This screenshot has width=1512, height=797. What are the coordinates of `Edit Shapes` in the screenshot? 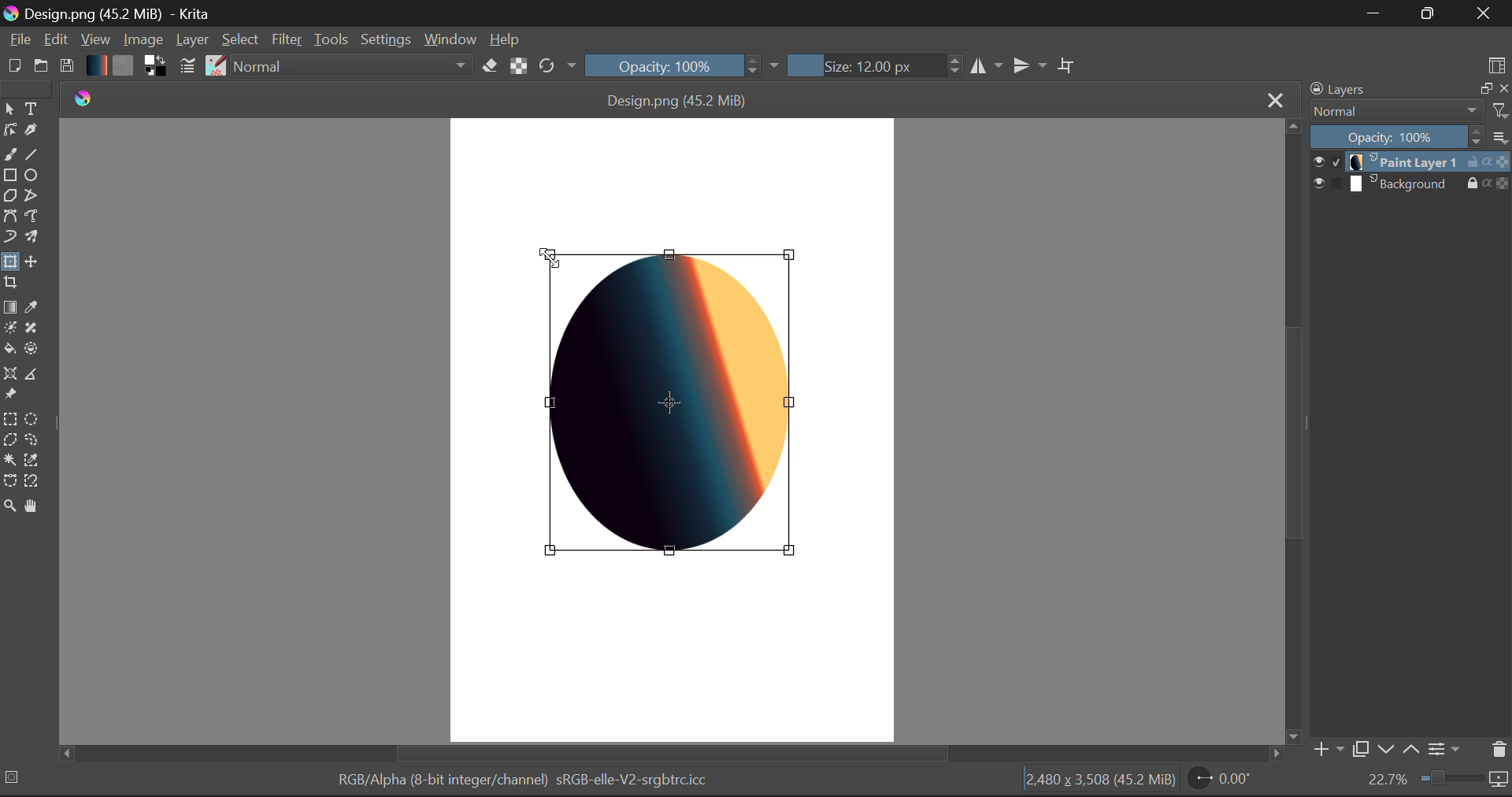 It's located at (9, 128).